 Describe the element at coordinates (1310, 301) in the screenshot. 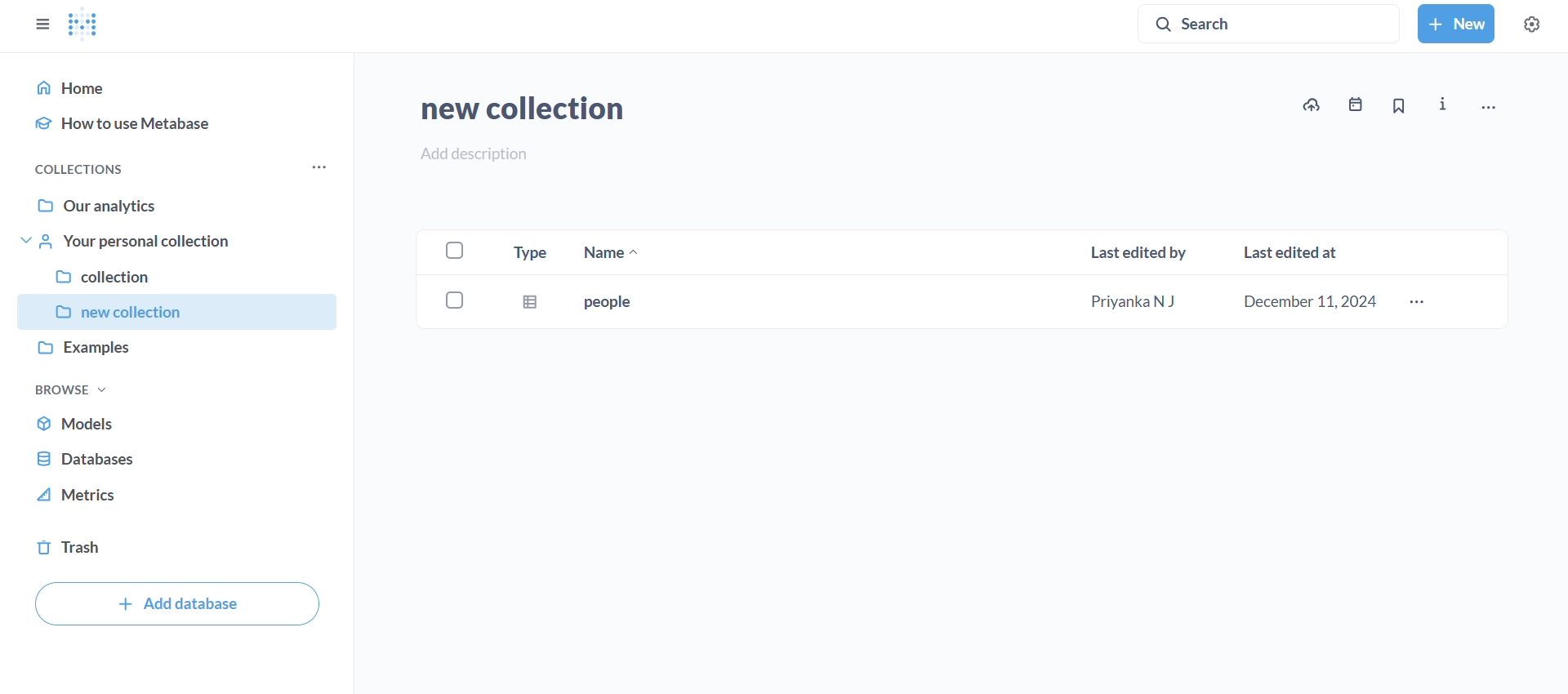

I see `december 11, 2024` at that location.